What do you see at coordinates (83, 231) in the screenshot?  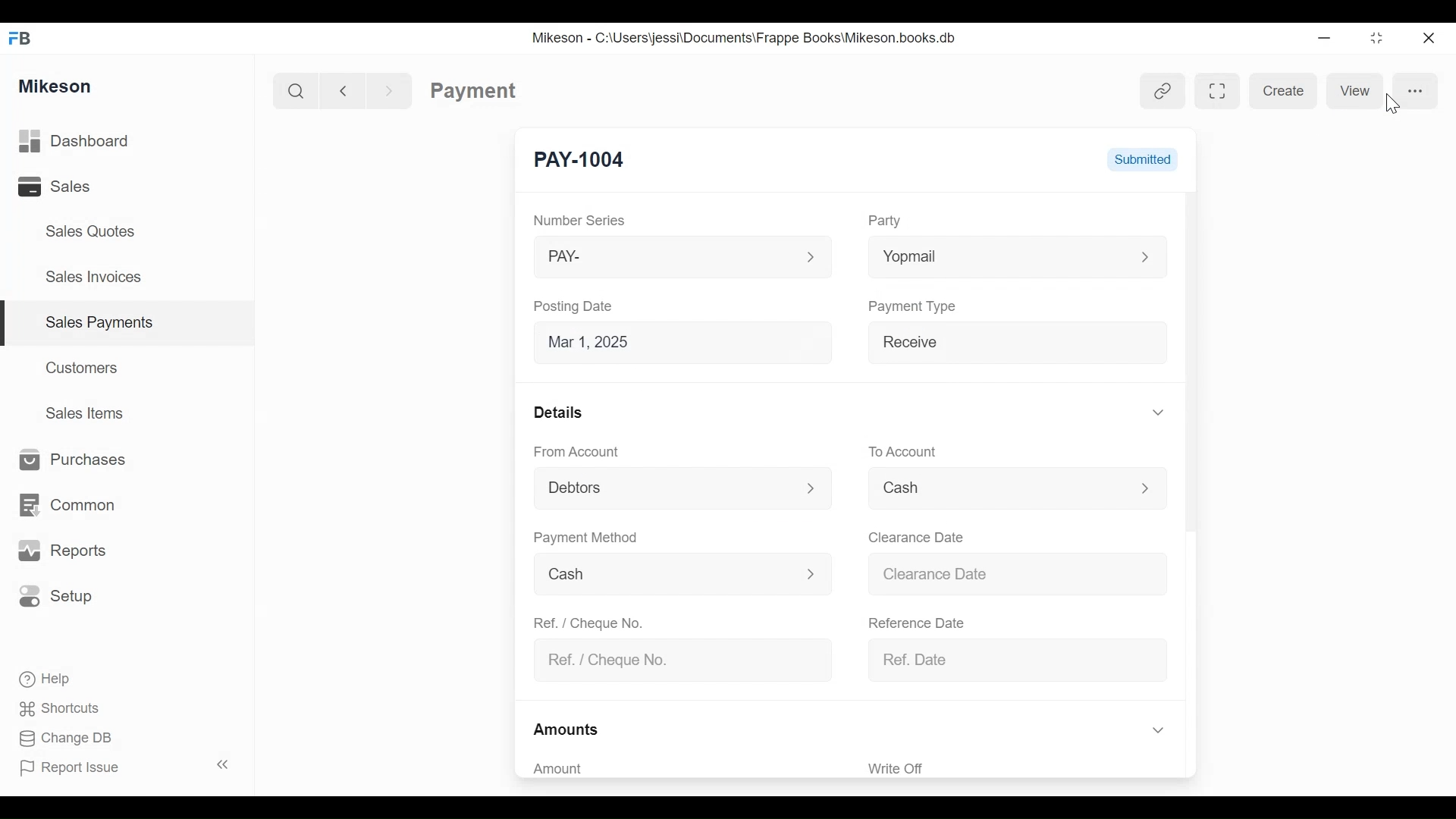 I see `Sales Quotes` at bounding box center [83, 231].